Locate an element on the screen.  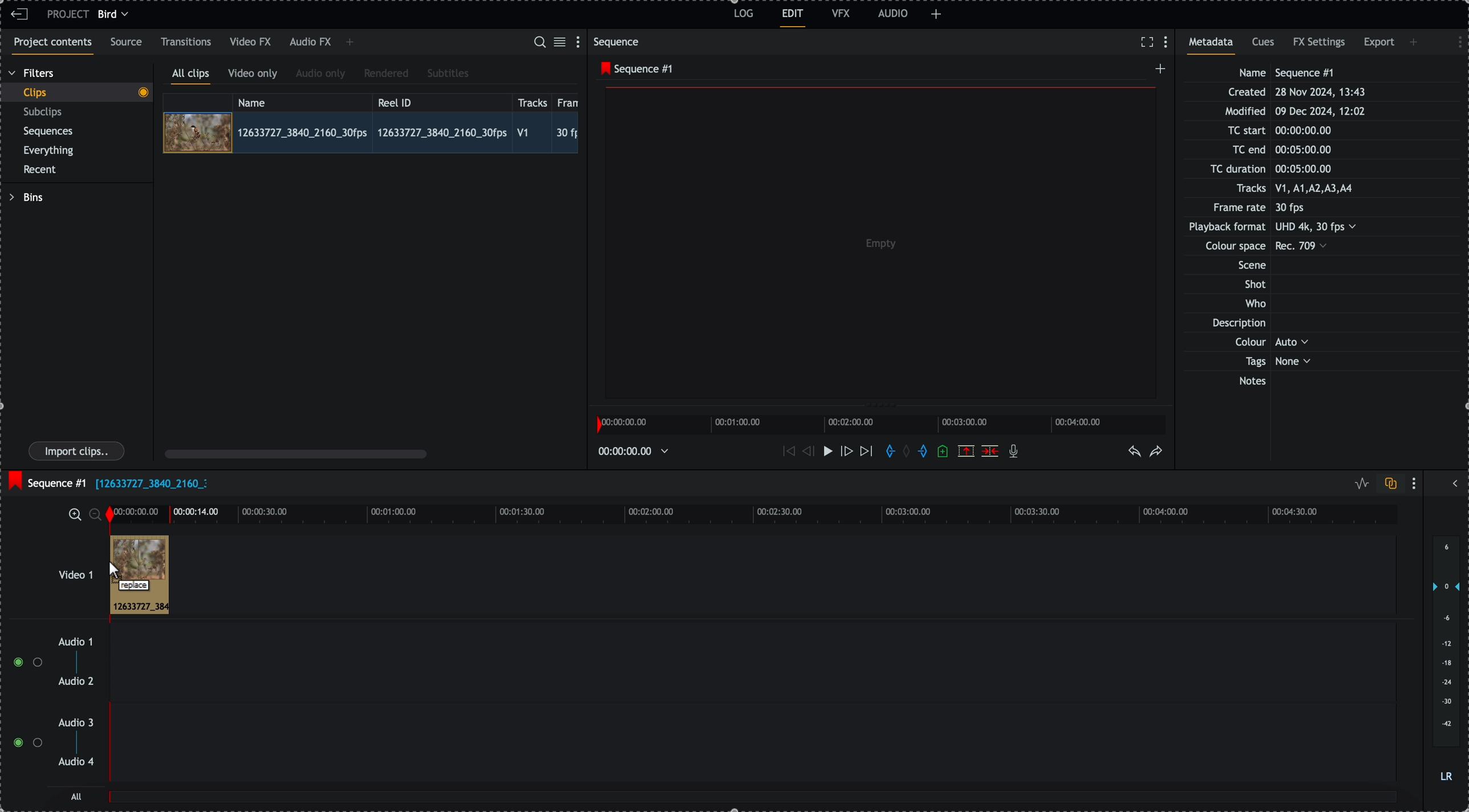
video FX is located at coordinates (251, 42).